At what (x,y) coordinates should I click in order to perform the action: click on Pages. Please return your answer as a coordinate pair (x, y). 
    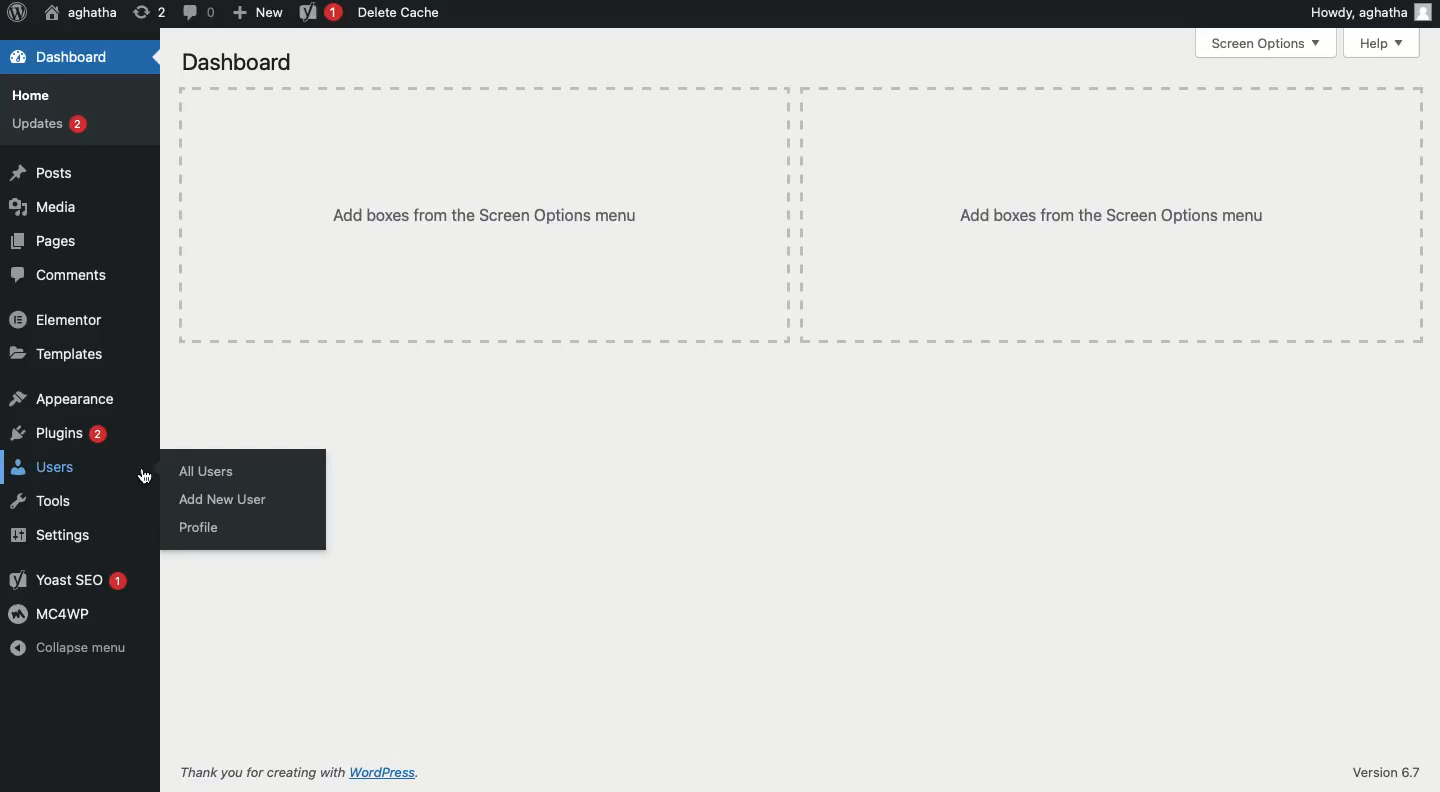
    Looking at the image, I should click on (41, 242).